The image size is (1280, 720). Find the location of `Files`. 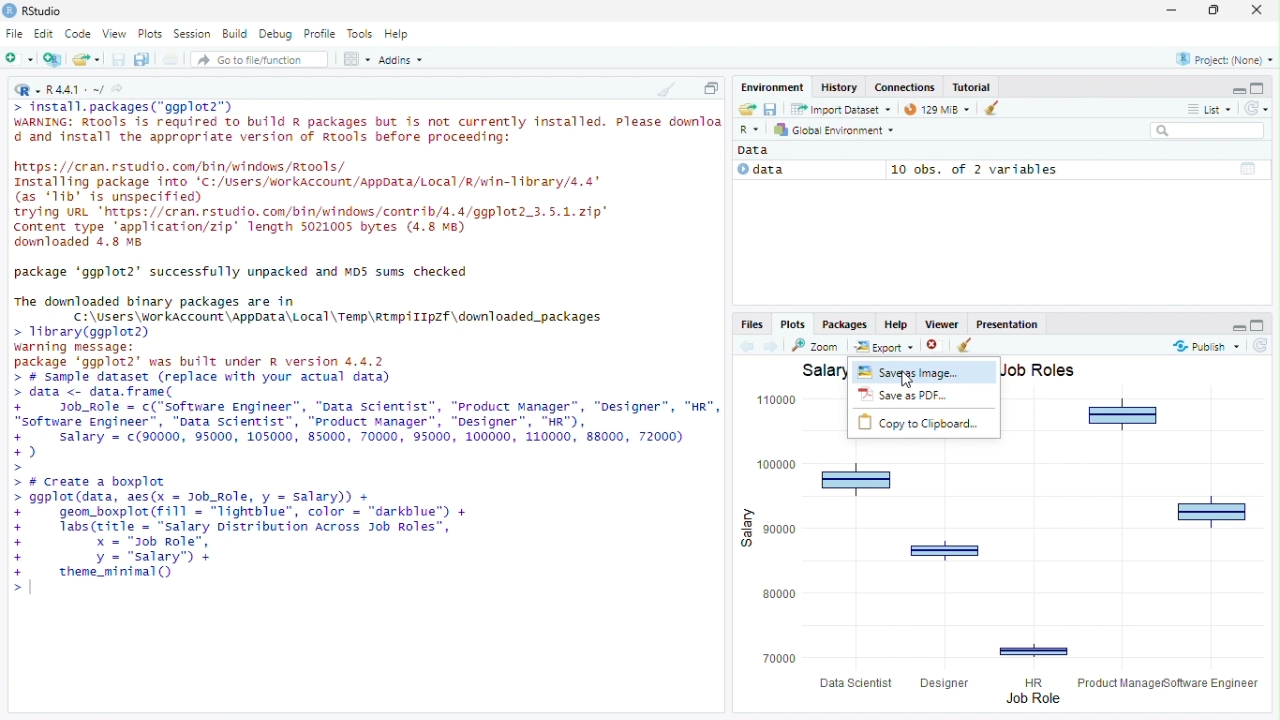

Files is located at coordinates (753, 324).